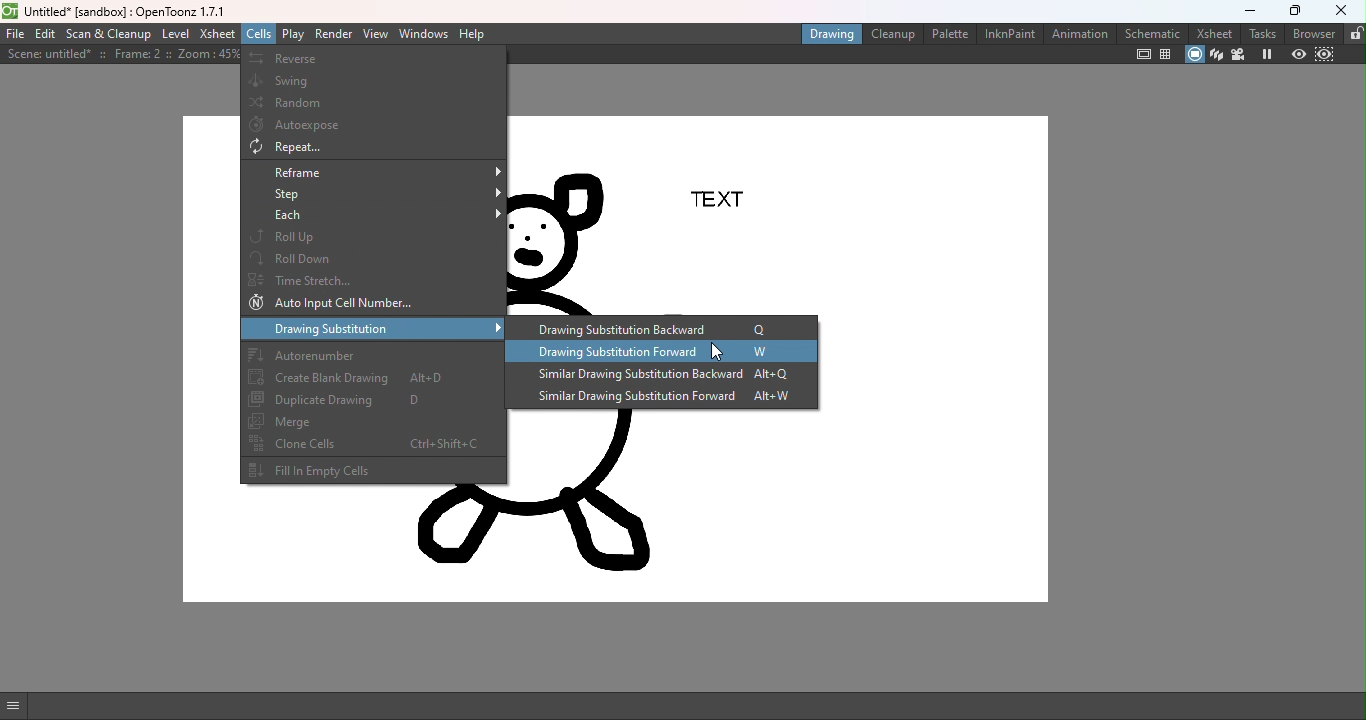 The image size is (1366, 720). I want to click on Drawing substitution forward, so click(671, 354).